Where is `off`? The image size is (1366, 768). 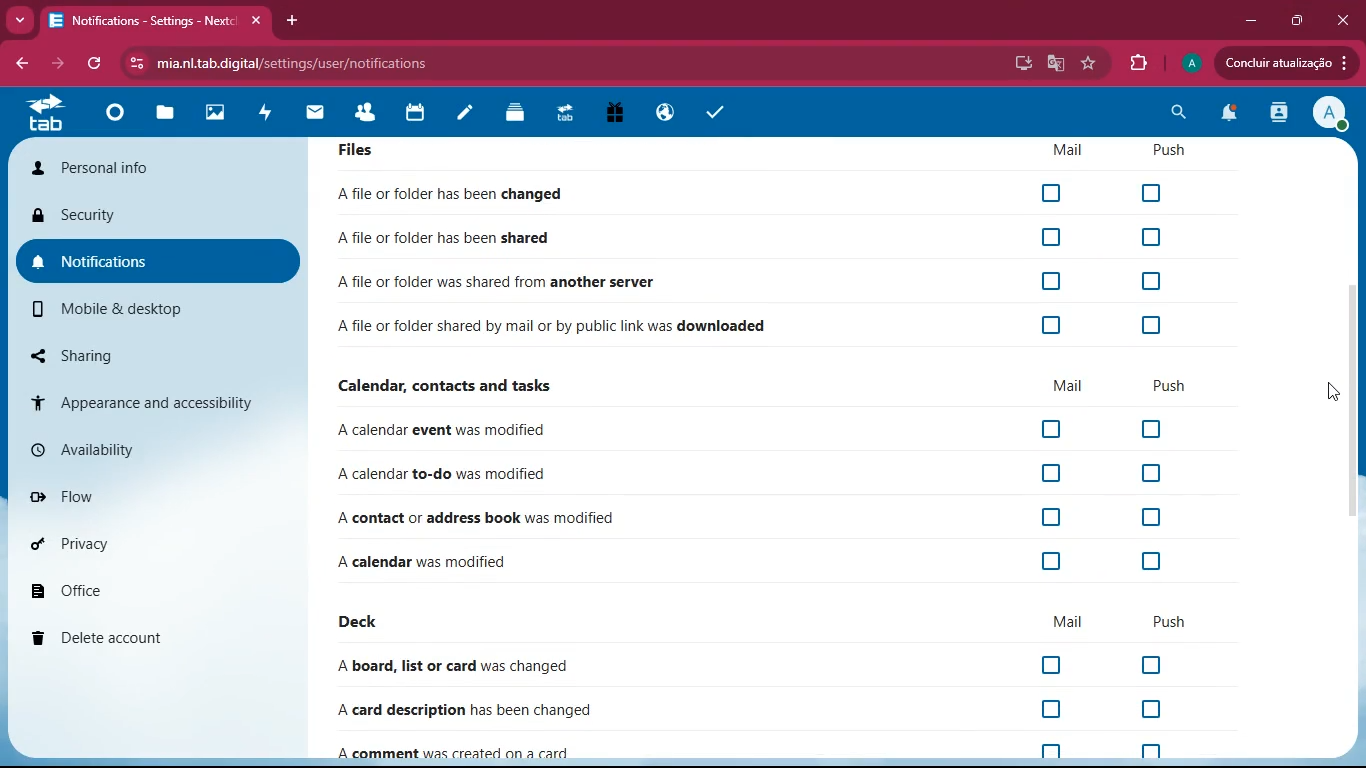
off is located at coordinates (1046, 710).